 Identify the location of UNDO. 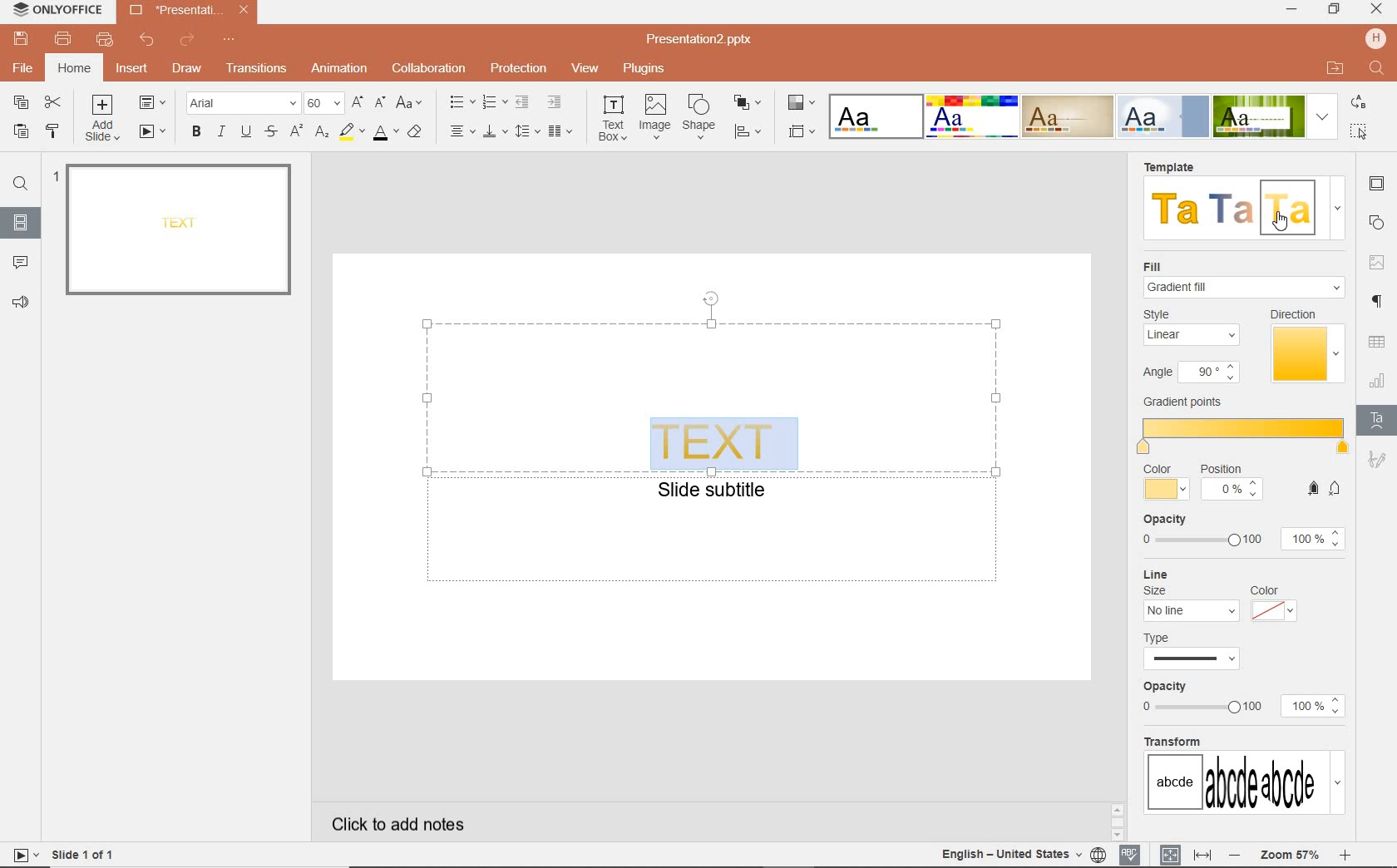
(147, 39).